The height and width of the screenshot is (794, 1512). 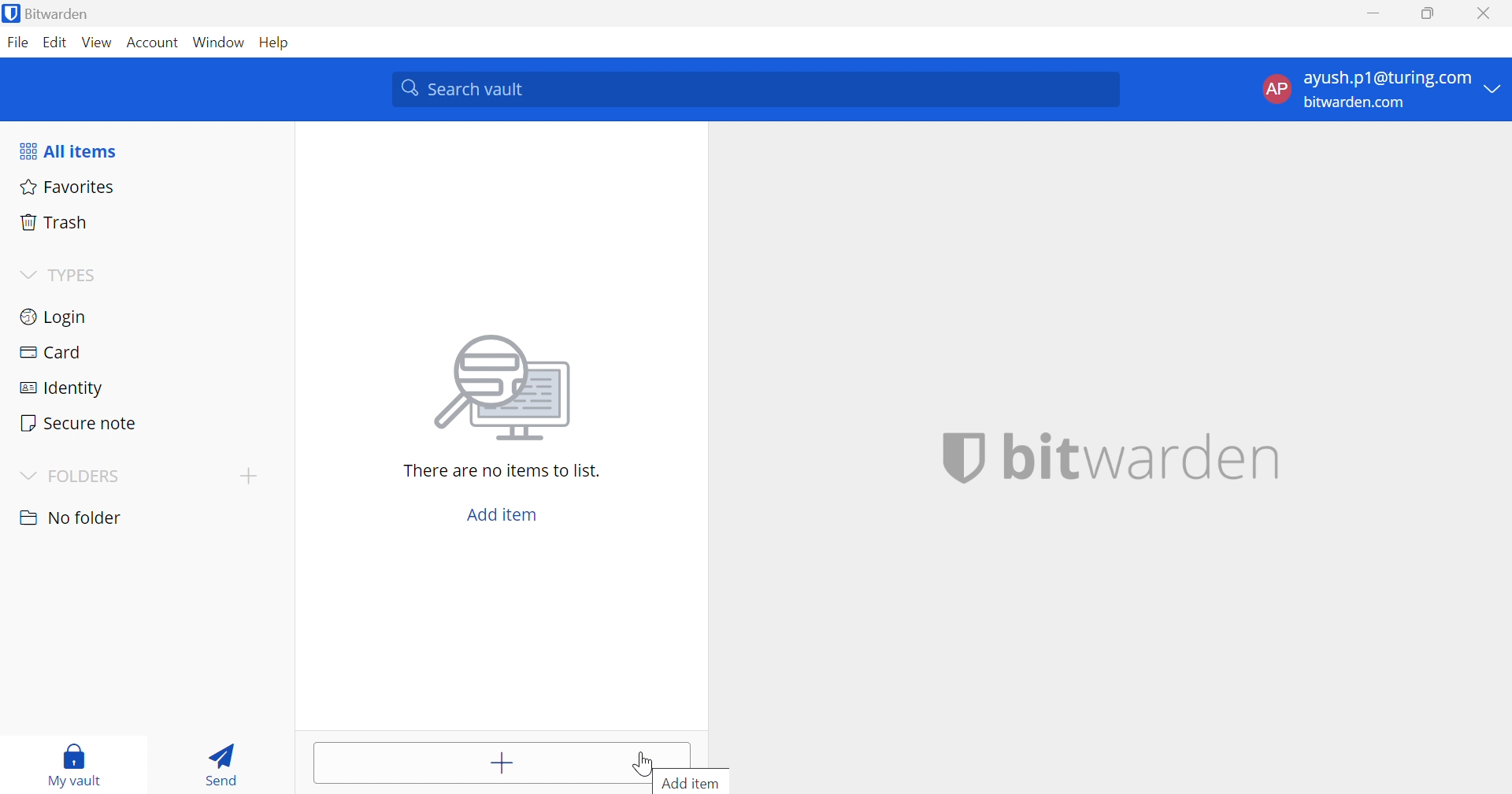 I want to click on Trash, so click(x=55, y=221).